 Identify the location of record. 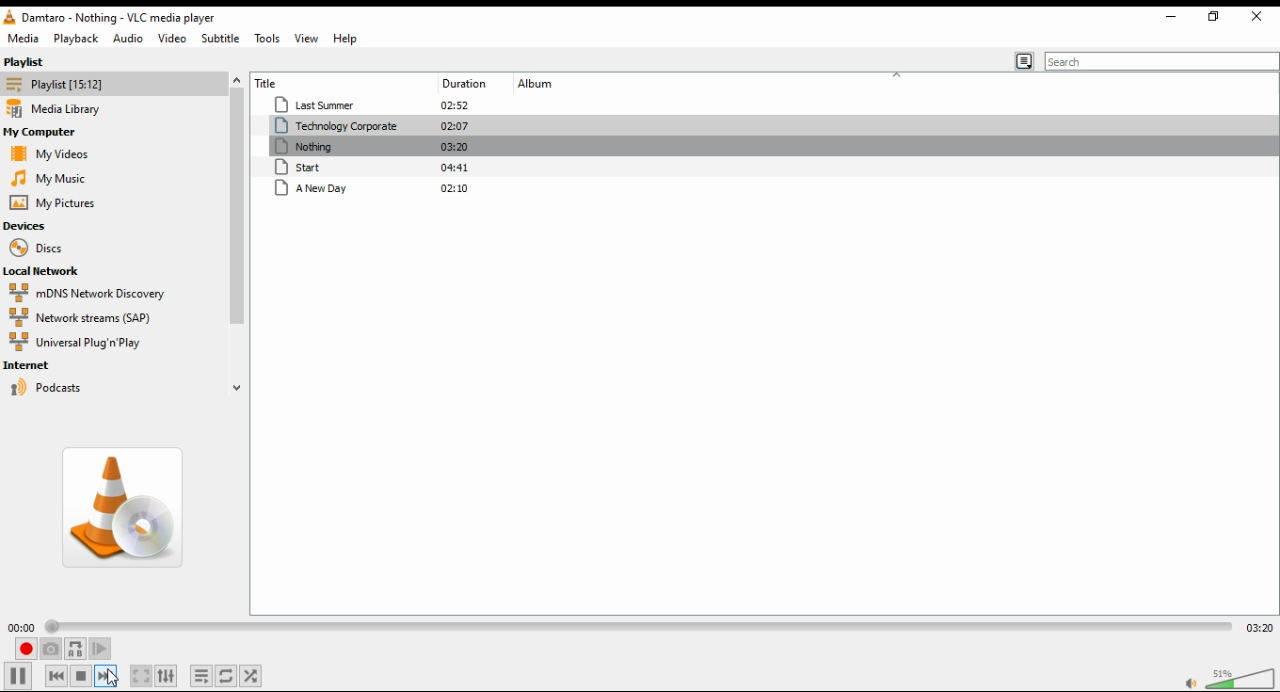
(25, 648).